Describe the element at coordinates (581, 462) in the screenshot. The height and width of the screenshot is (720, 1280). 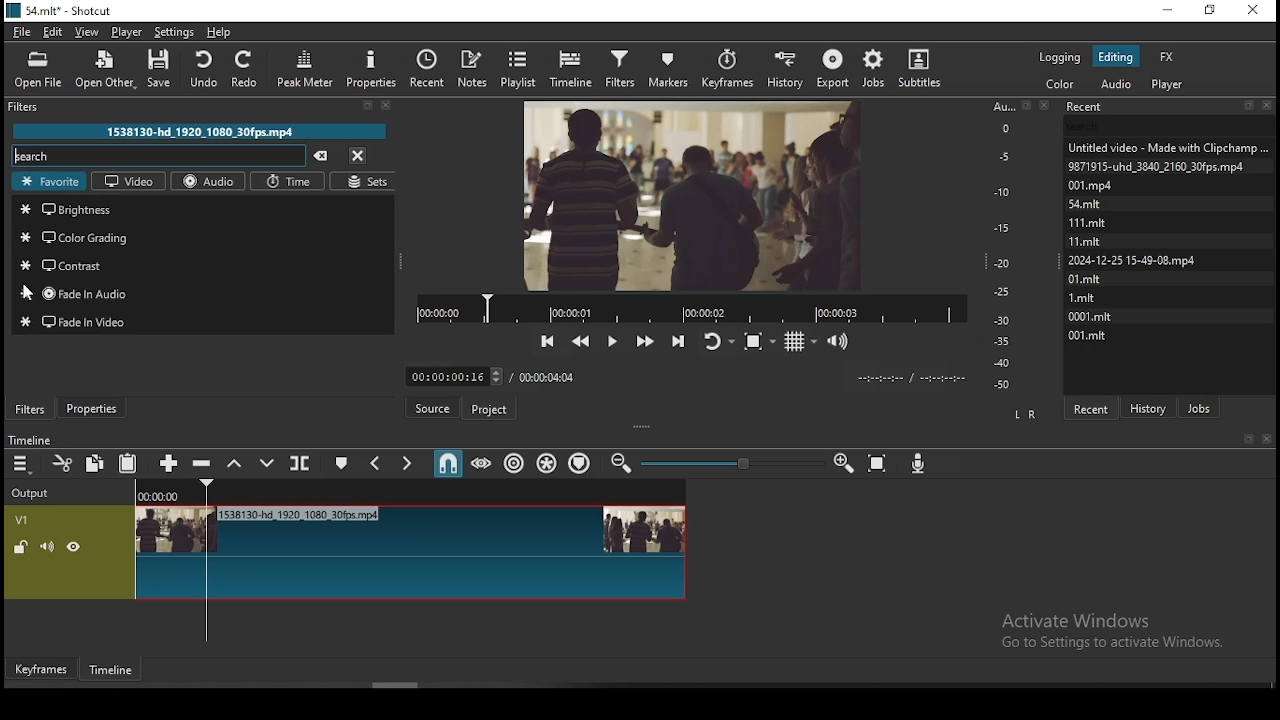
I see `ripple markers` at that location.